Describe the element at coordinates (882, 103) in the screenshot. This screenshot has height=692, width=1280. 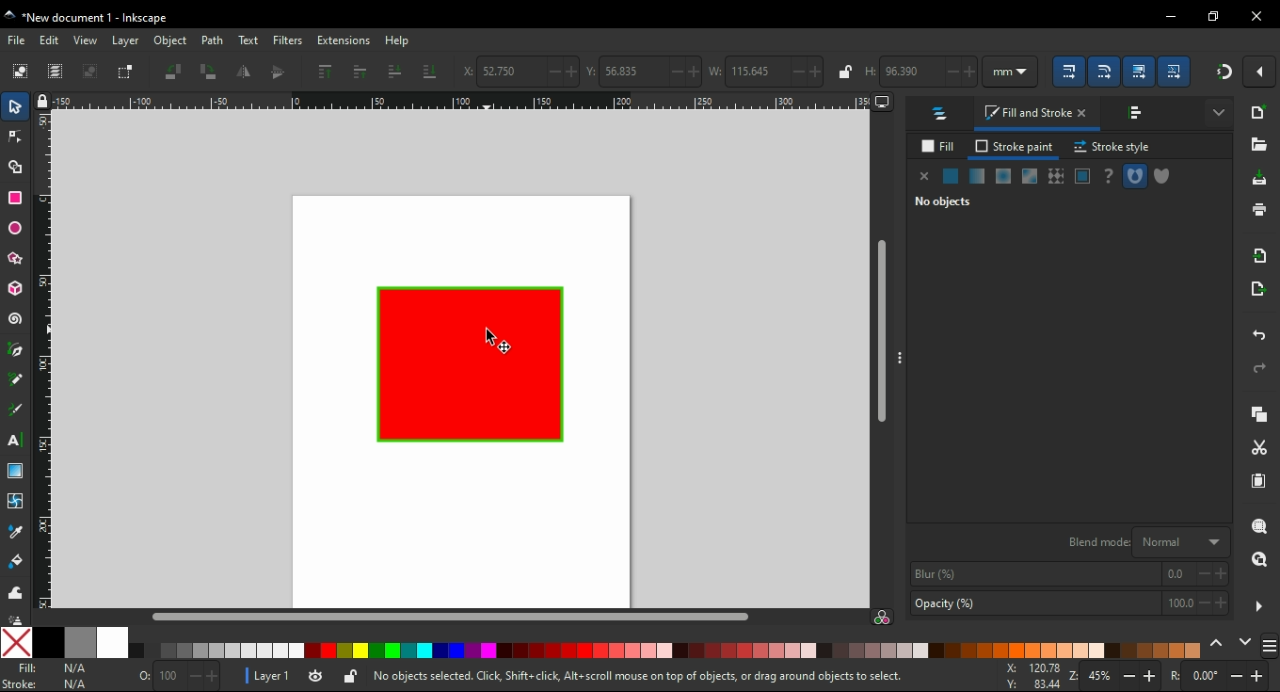
I see `computer icon` at that location.